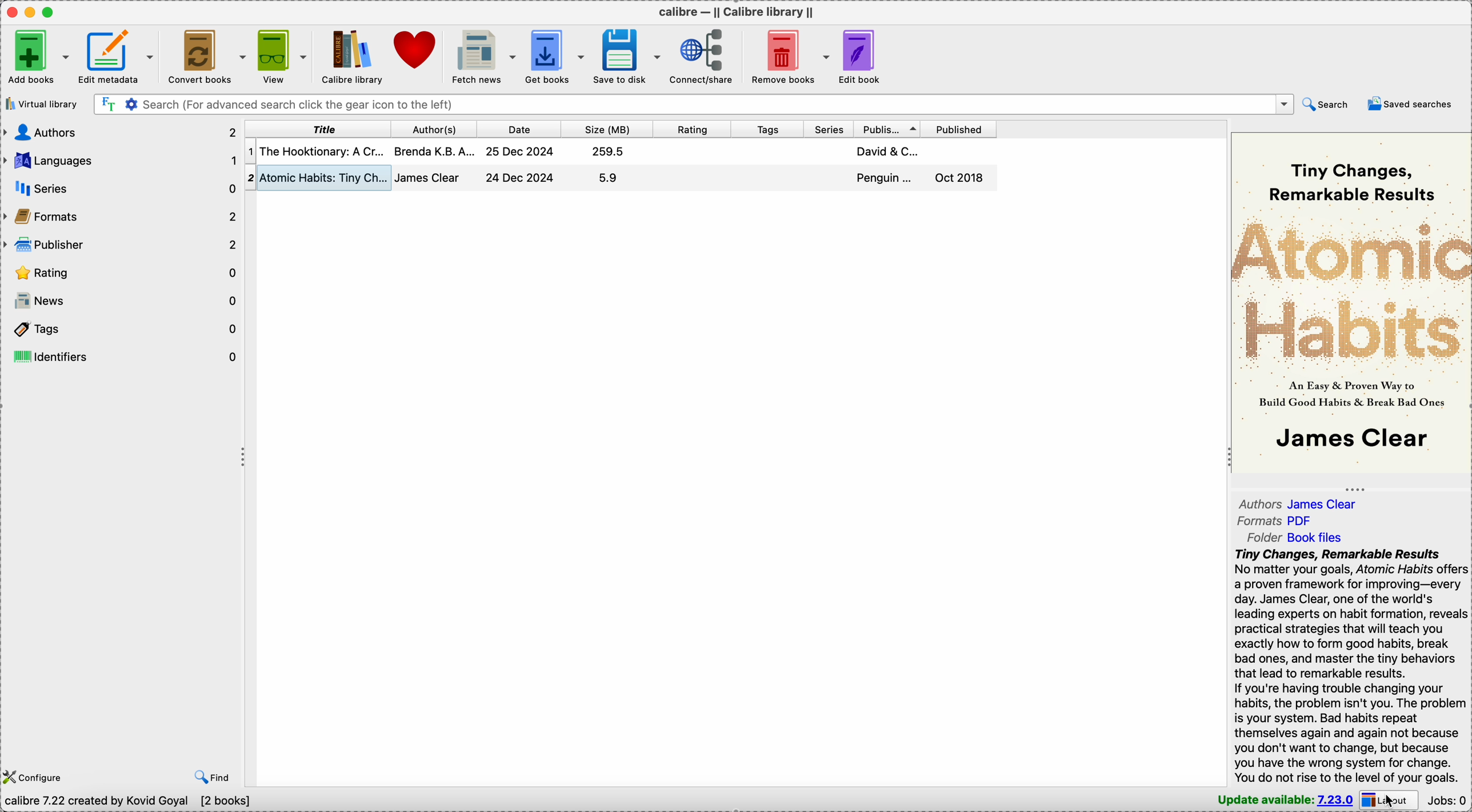  Describe the element at coordinates (119, 55) in the screenshot. I see `edit metadata` at that location.